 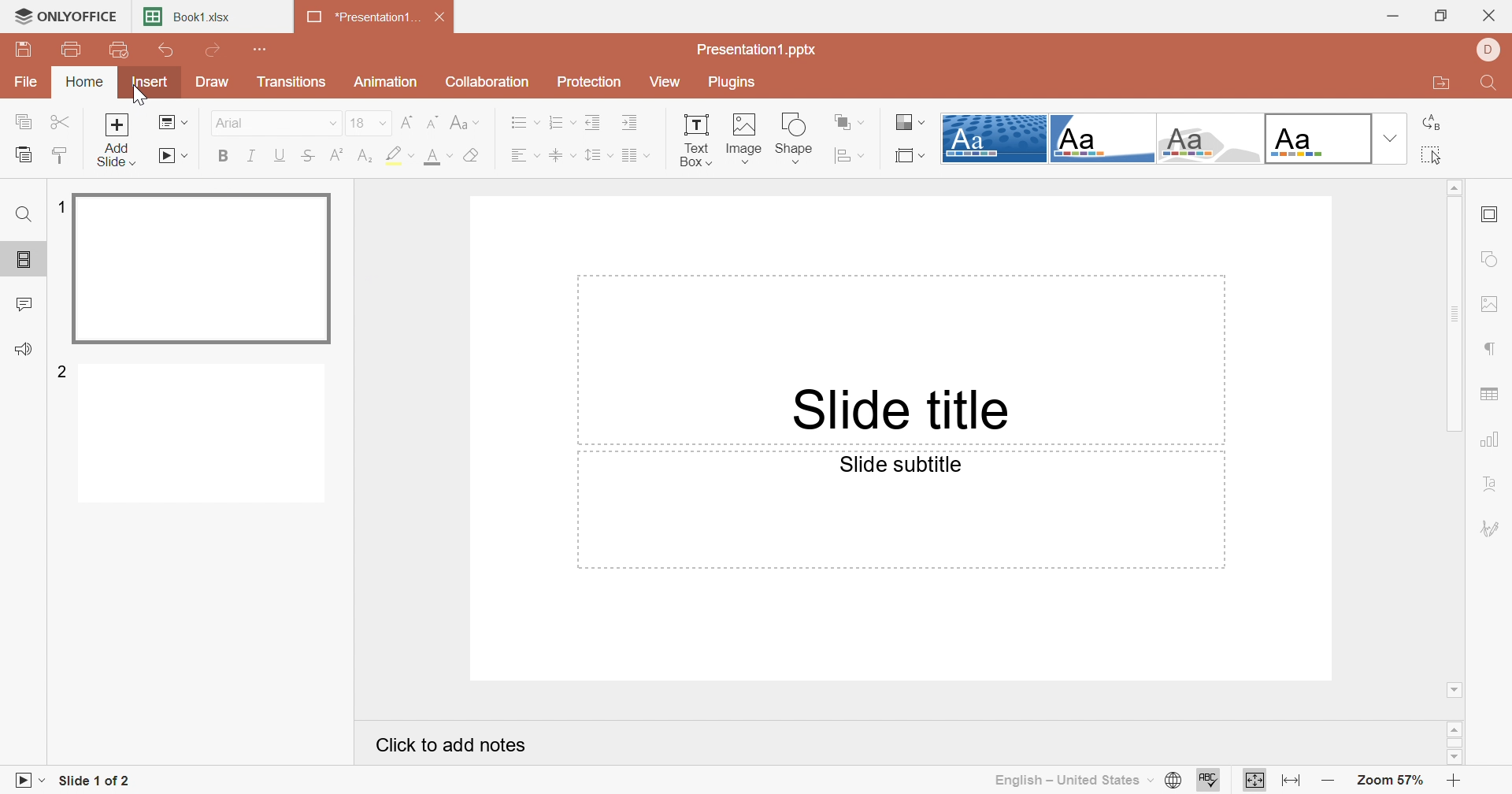 I want to click on Increment font size, so click(x=406, y=124).